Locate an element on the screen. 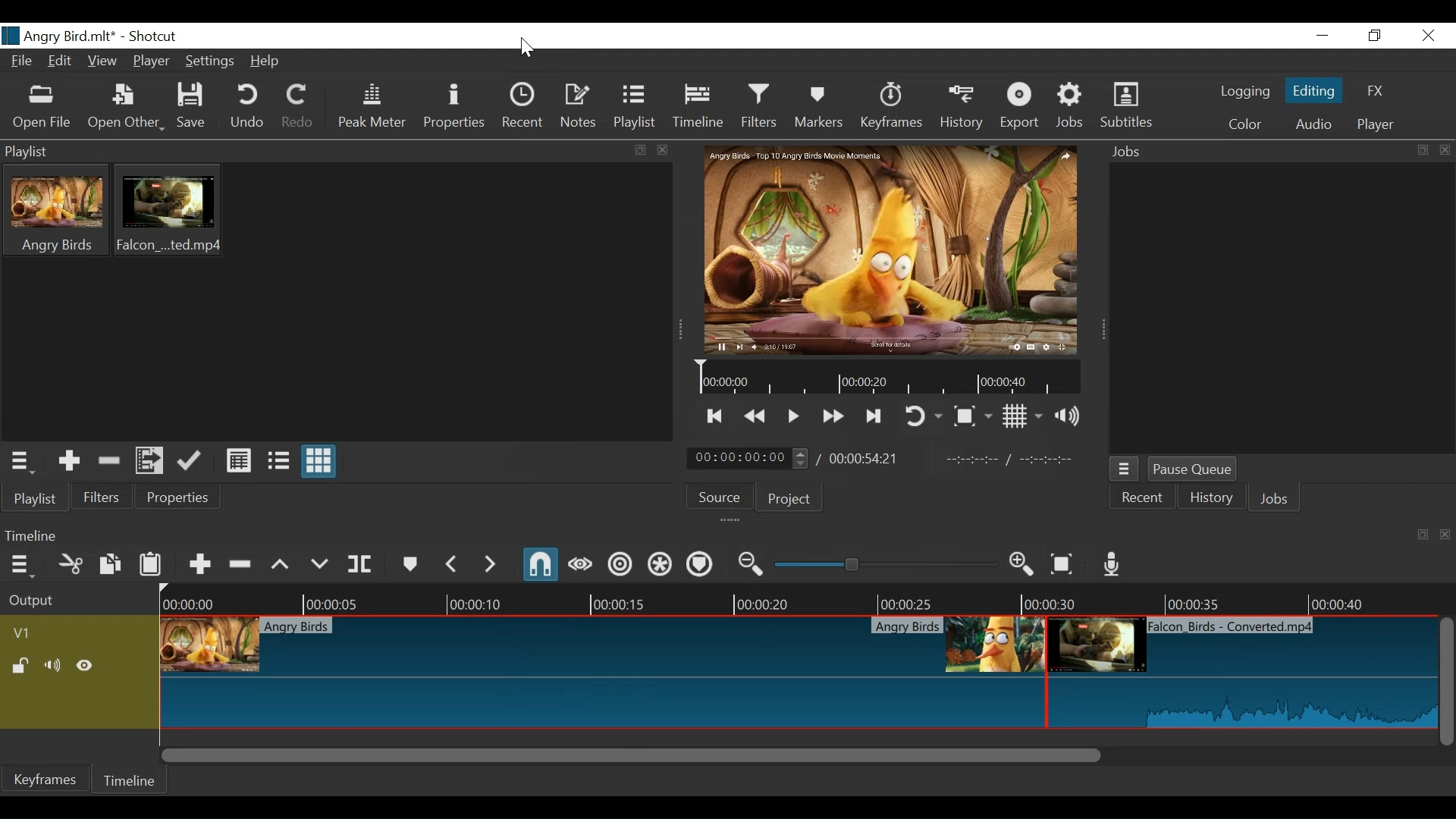 The image size is (1456, 819). Timeline is located at coordinates (800, 598).